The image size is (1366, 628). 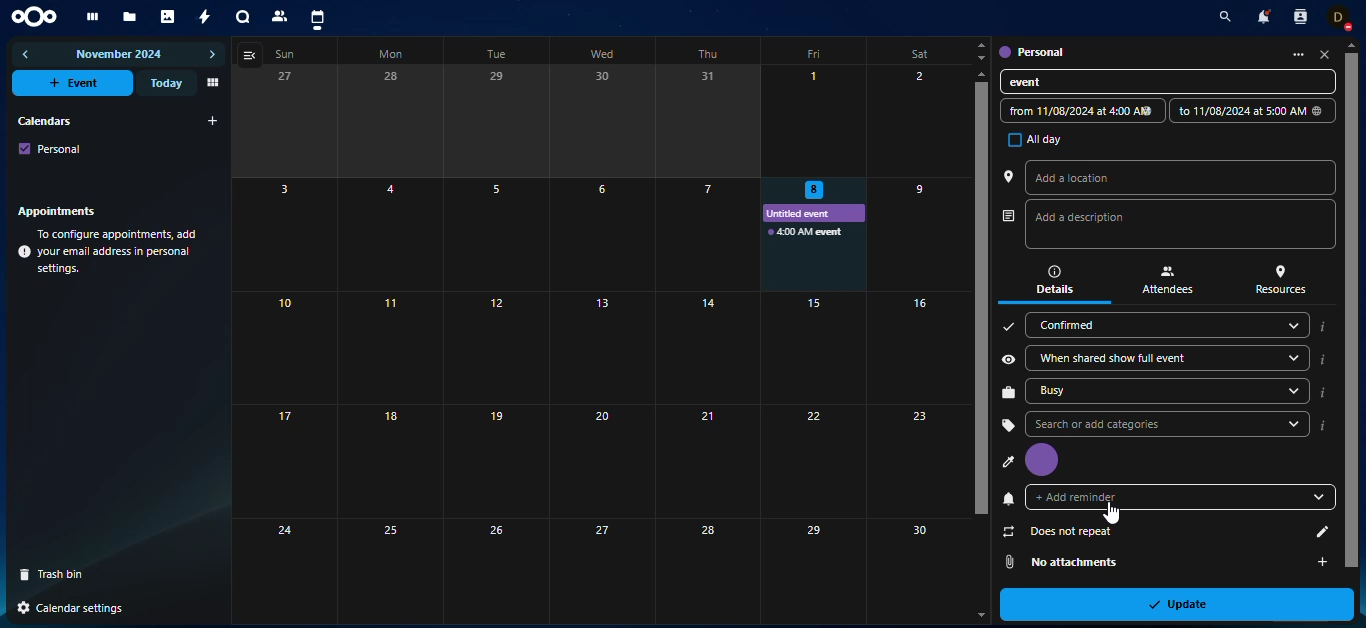 What do you see at coordinates (600, 461) in the screenshot?
I see `20` at bounding box center [600, 461].